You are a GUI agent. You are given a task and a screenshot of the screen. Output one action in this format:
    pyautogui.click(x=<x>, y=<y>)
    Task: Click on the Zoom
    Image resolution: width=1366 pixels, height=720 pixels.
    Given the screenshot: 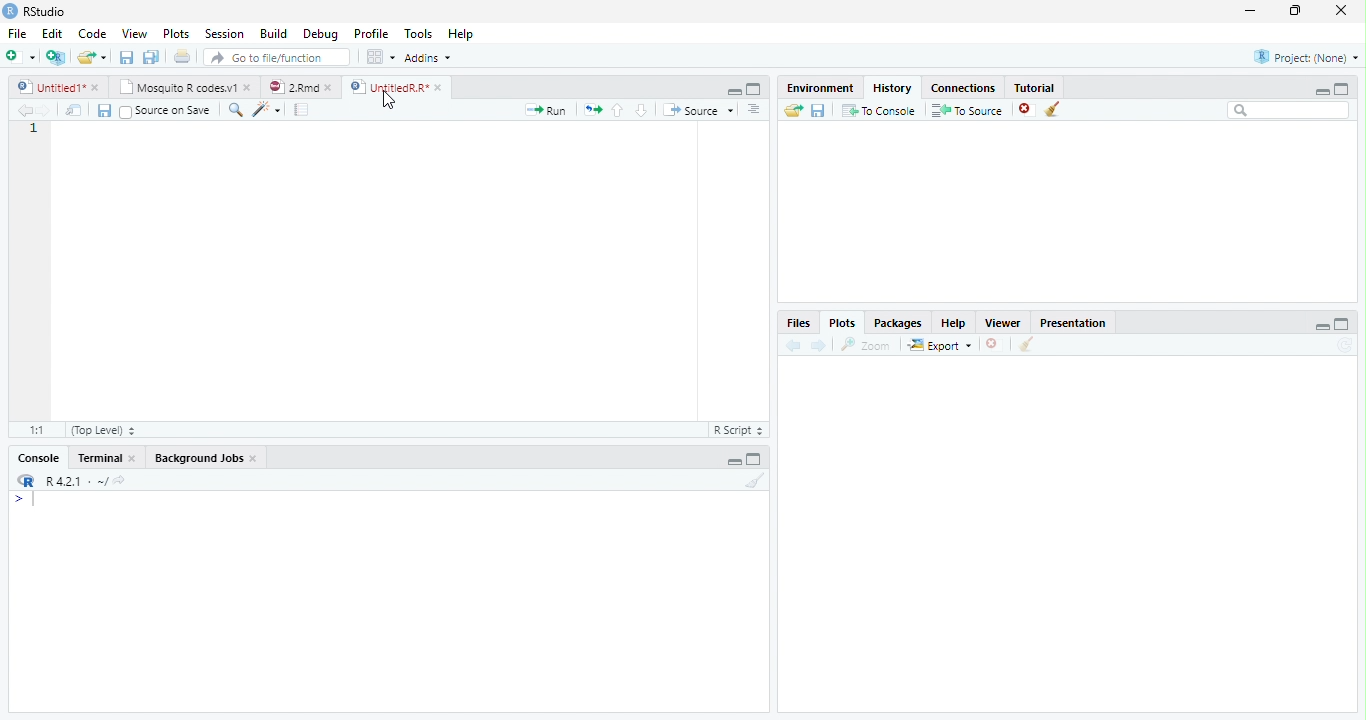 What is the action you would take?
    pyautogui.click(x=866, y=345)
    